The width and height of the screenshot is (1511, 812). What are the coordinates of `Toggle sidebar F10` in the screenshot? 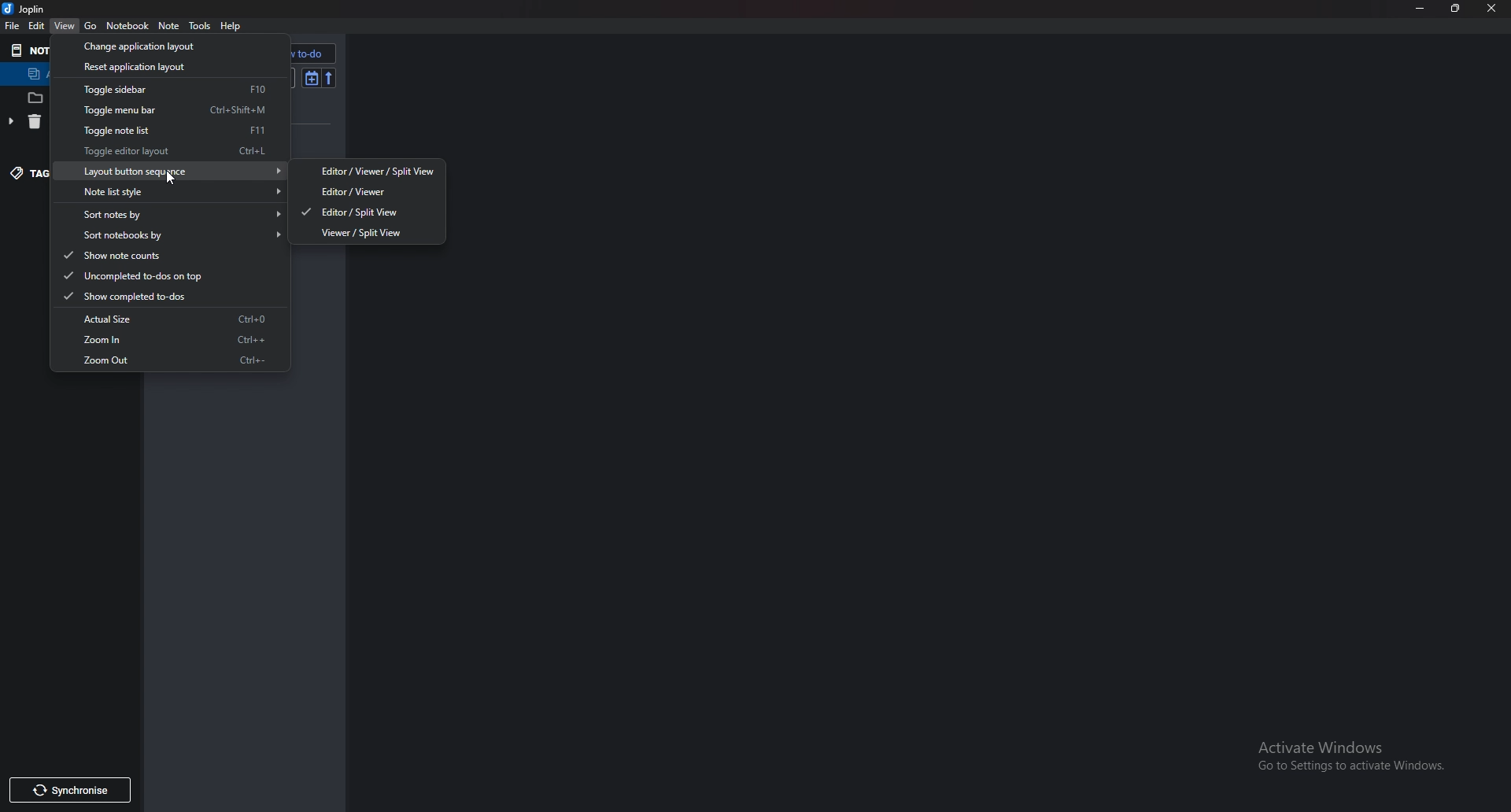 It's located at (166, 90).